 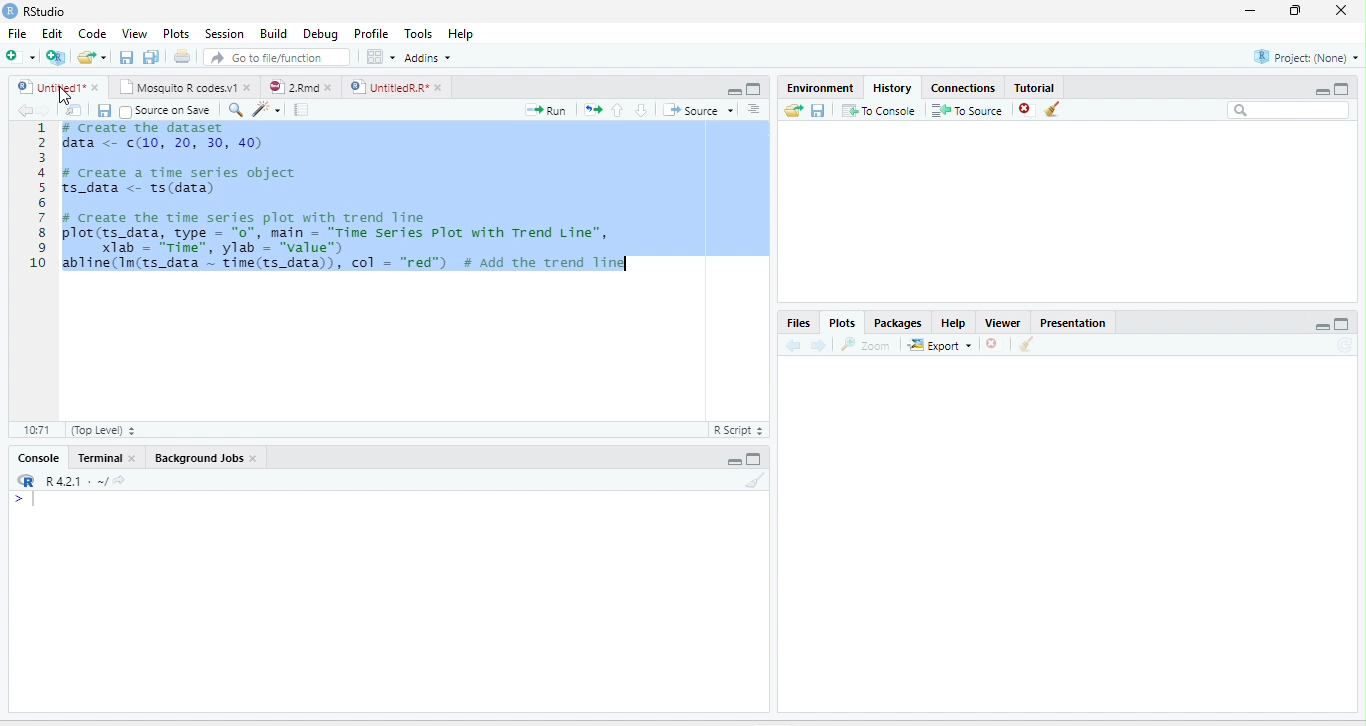 What do you see at coordinates (49, 87) in the screenshot?
I see `Untitled1*` at bounding box center [49, 87].